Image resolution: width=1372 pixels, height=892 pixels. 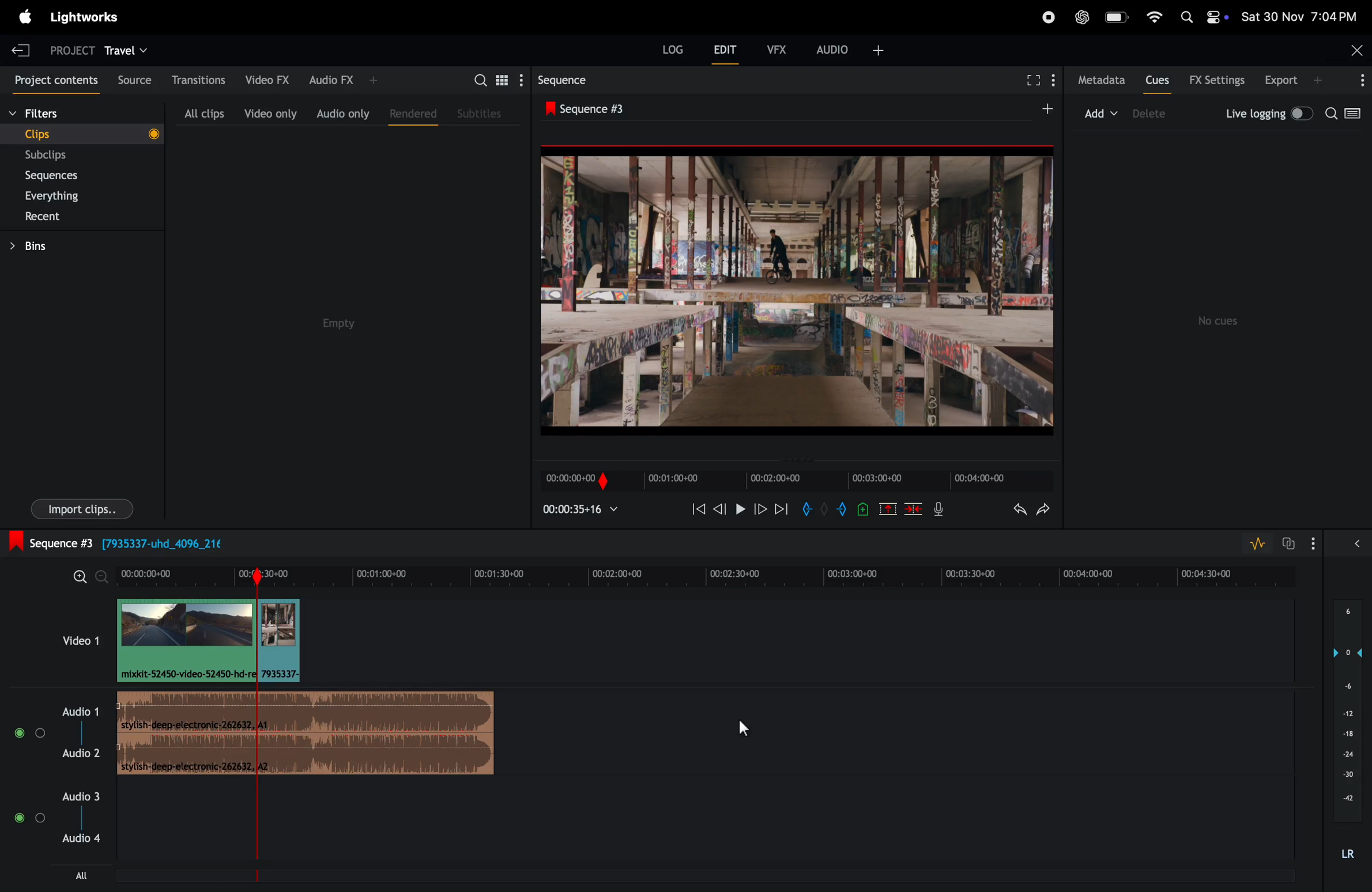 What do you see at coordinates (70, 640) in the screenshot?
I see `video` at bounding box center [70, 640].